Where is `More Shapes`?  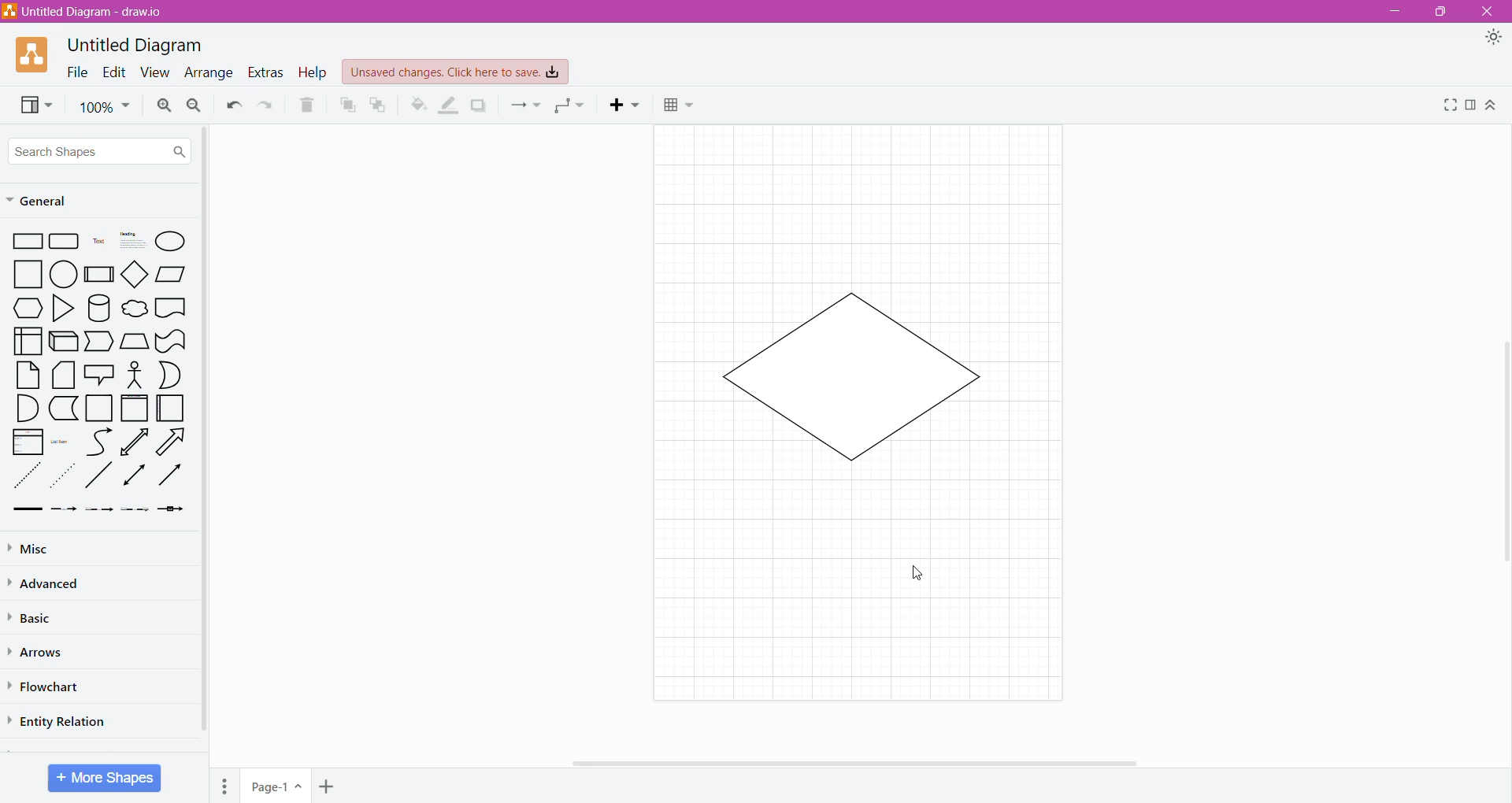 More Shapes is located at coordinates (105, 778).